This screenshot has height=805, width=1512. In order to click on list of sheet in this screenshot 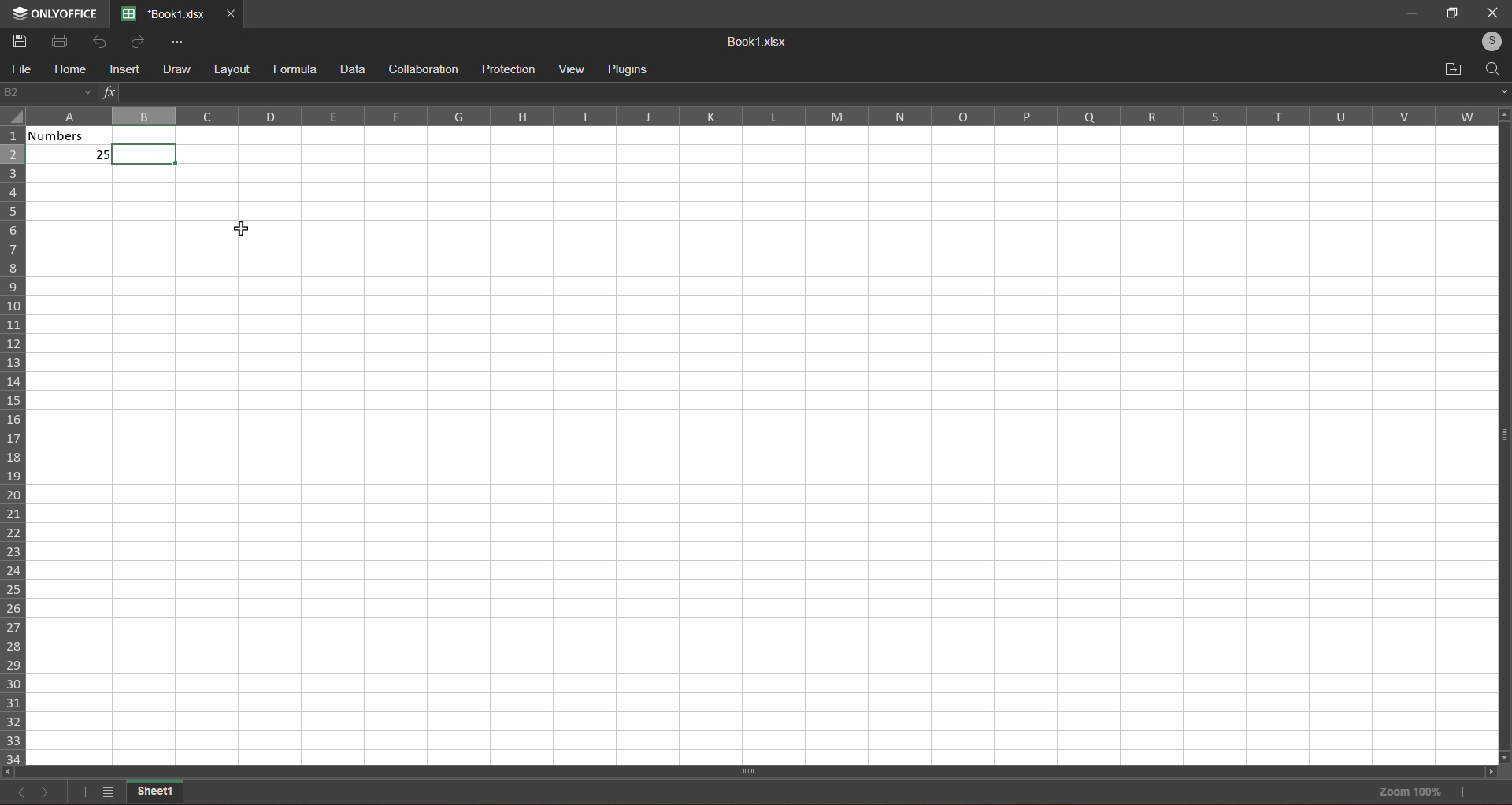, I will do `click(106, 795)`.